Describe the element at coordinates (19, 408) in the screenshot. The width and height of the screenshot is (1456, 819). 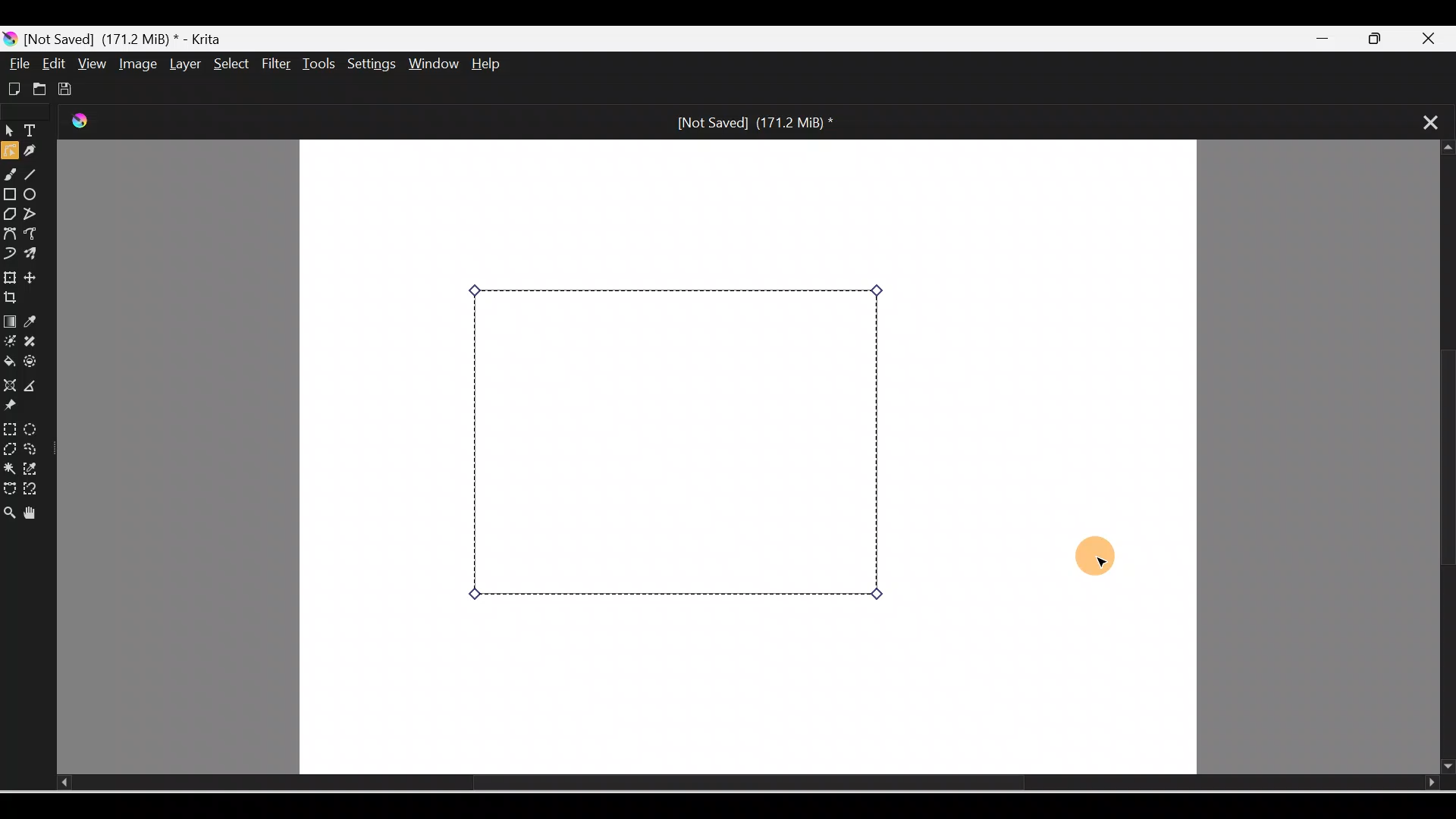
I see `Reference images tool` at that location.